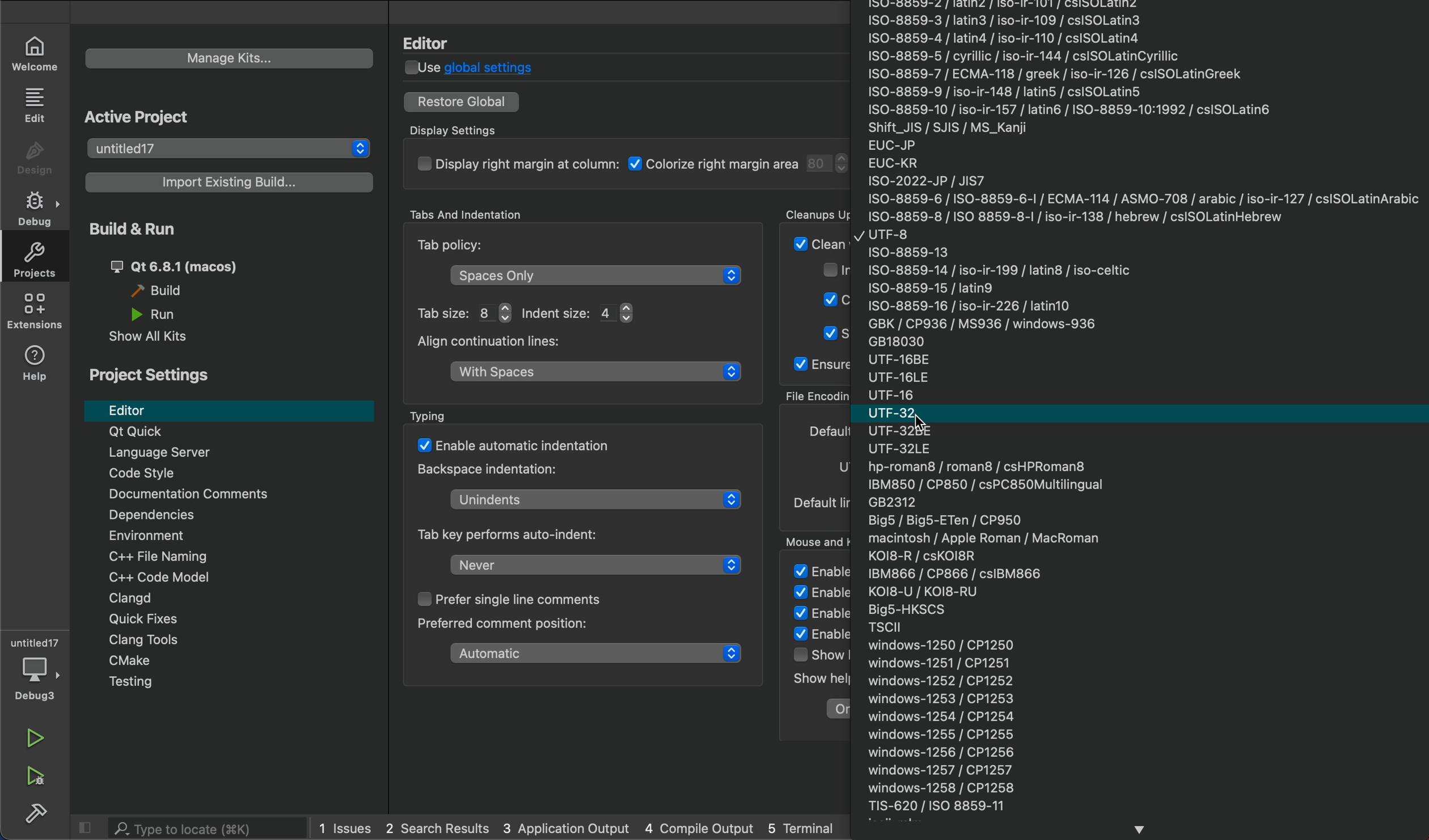  Describe the element at coordinates (457, 312) in the screenshot. I see `tab size and indent` at that location.